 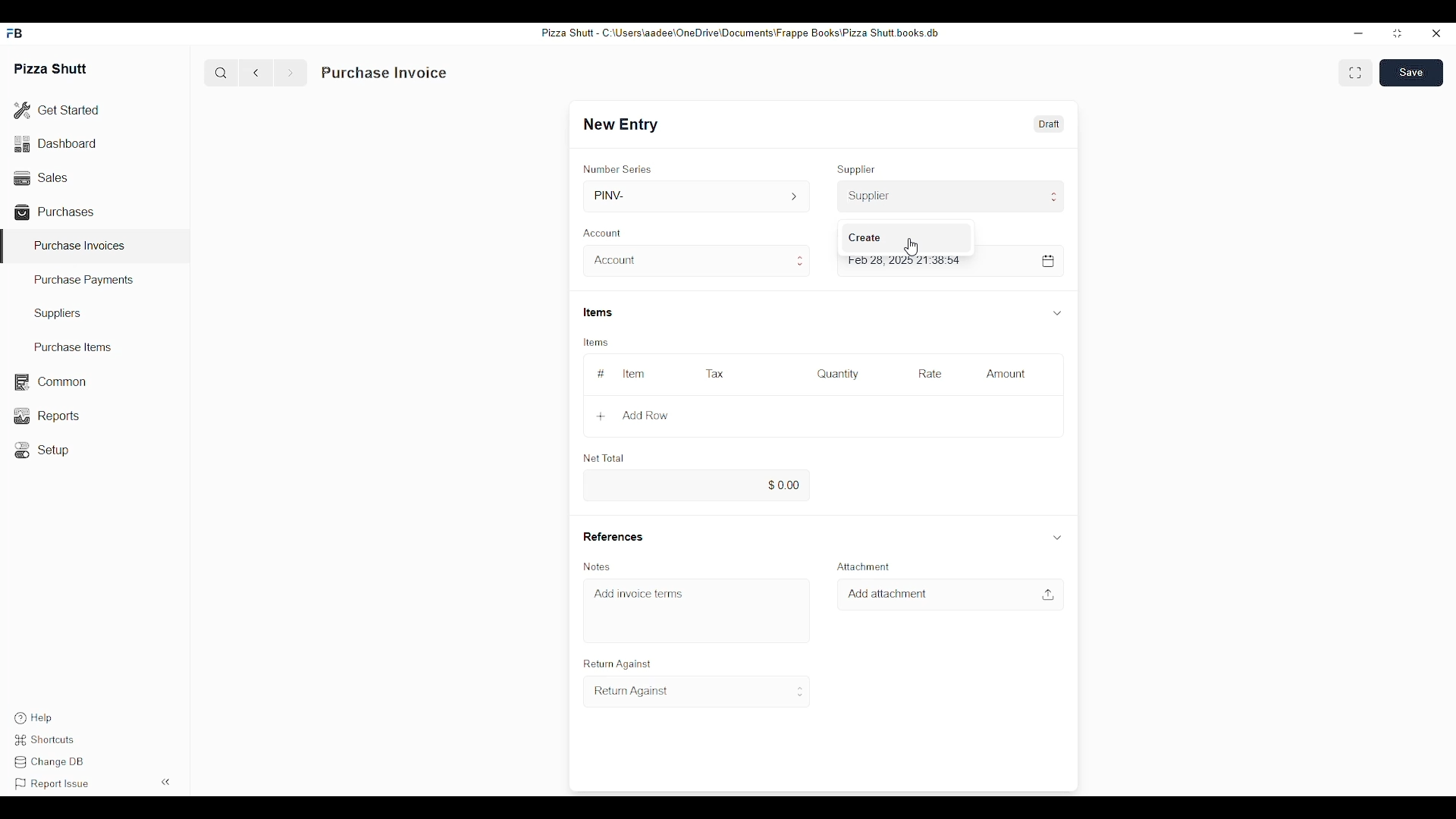 What do you see at coordinates (167, 781) in the screenshot?
I see `<<` at bounding box center [167, 781].